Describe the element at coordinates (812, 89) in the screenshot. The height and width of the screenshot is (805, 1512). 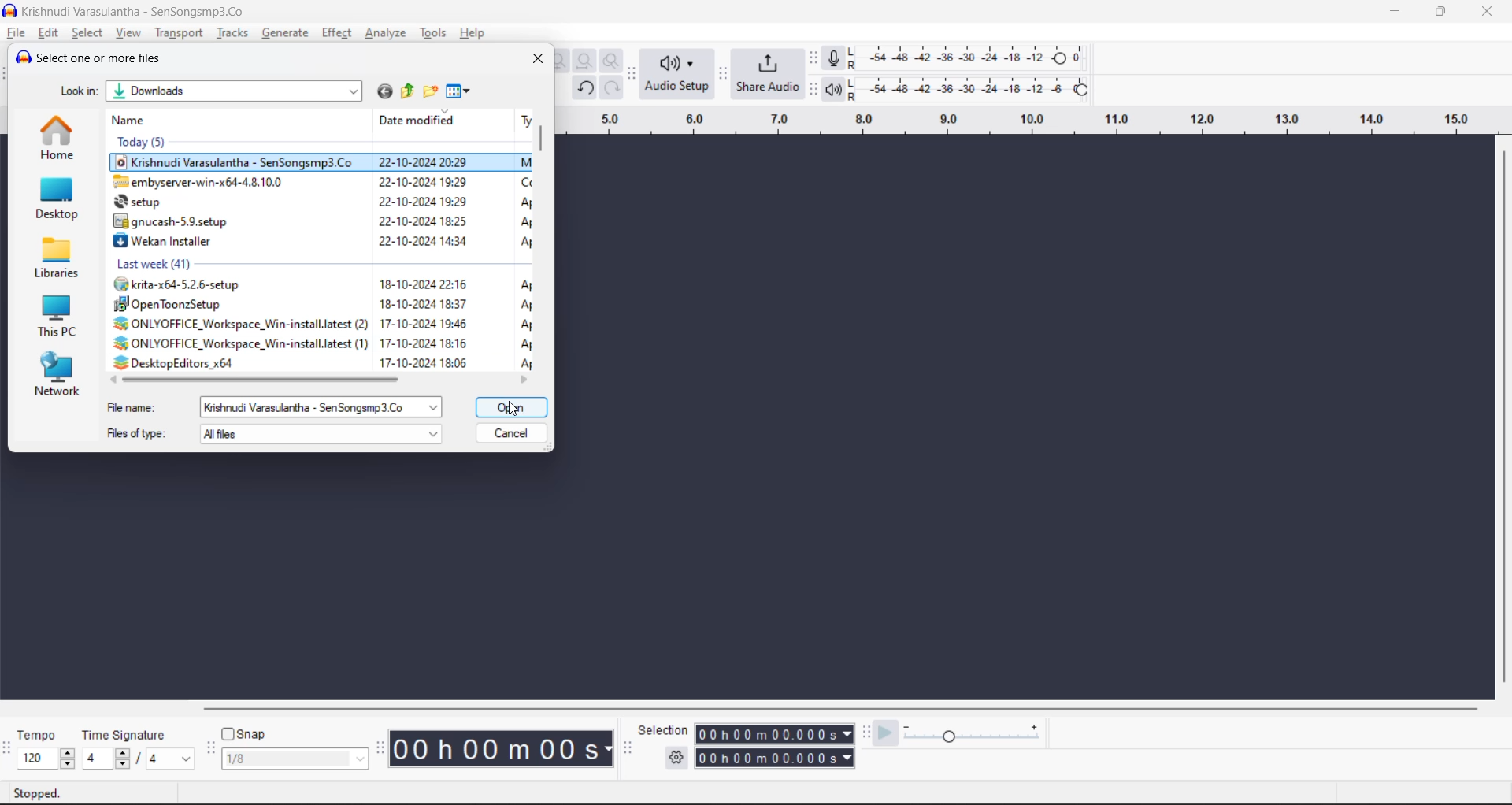
I see `playback meter toolbar` at that location.